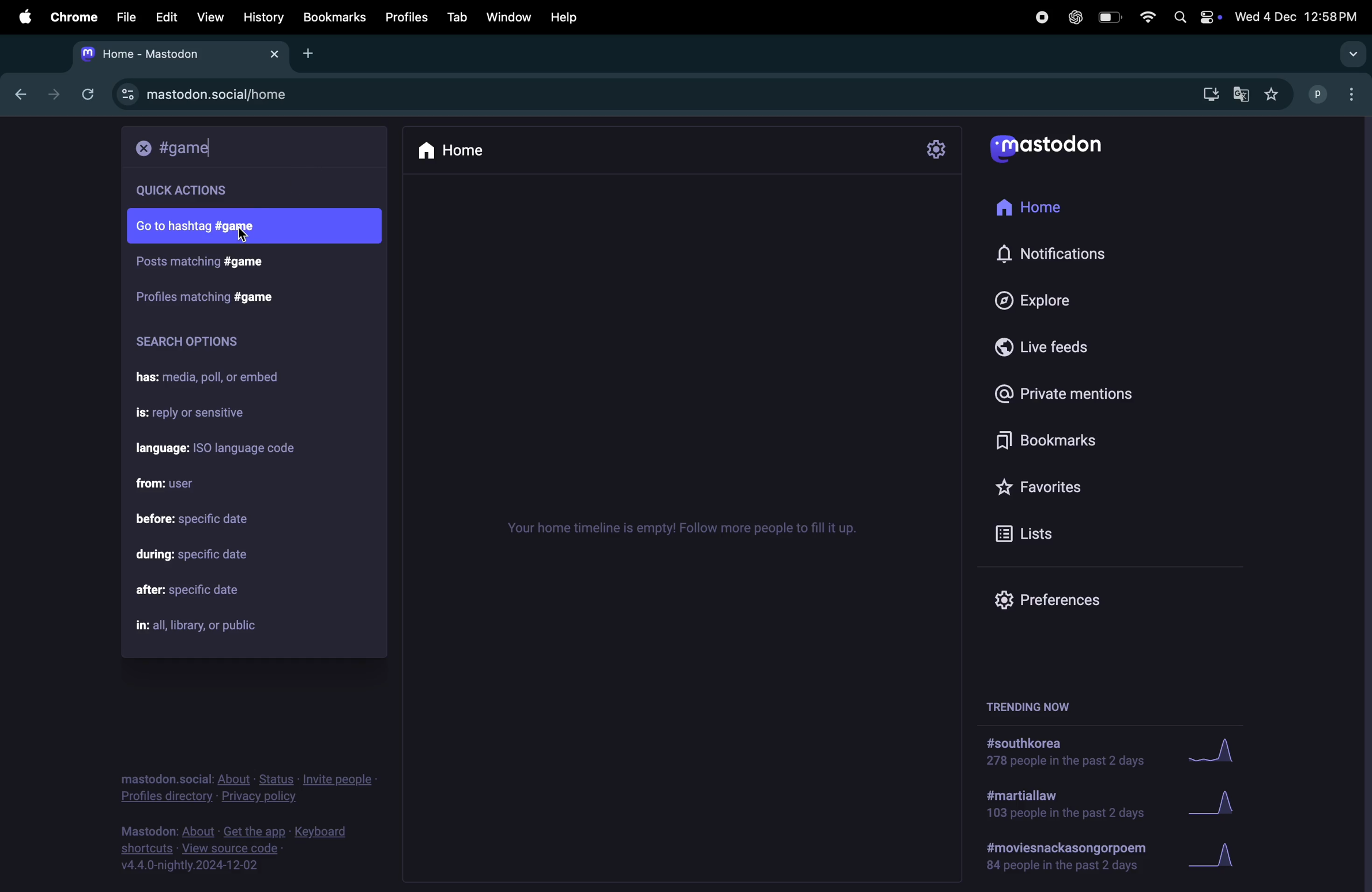 This screenshot has height=892, width=1372. What do you see at coordinates (1348, 52) in the screenshot?
I see `drop down menu` at bounding box center [1348, 52].